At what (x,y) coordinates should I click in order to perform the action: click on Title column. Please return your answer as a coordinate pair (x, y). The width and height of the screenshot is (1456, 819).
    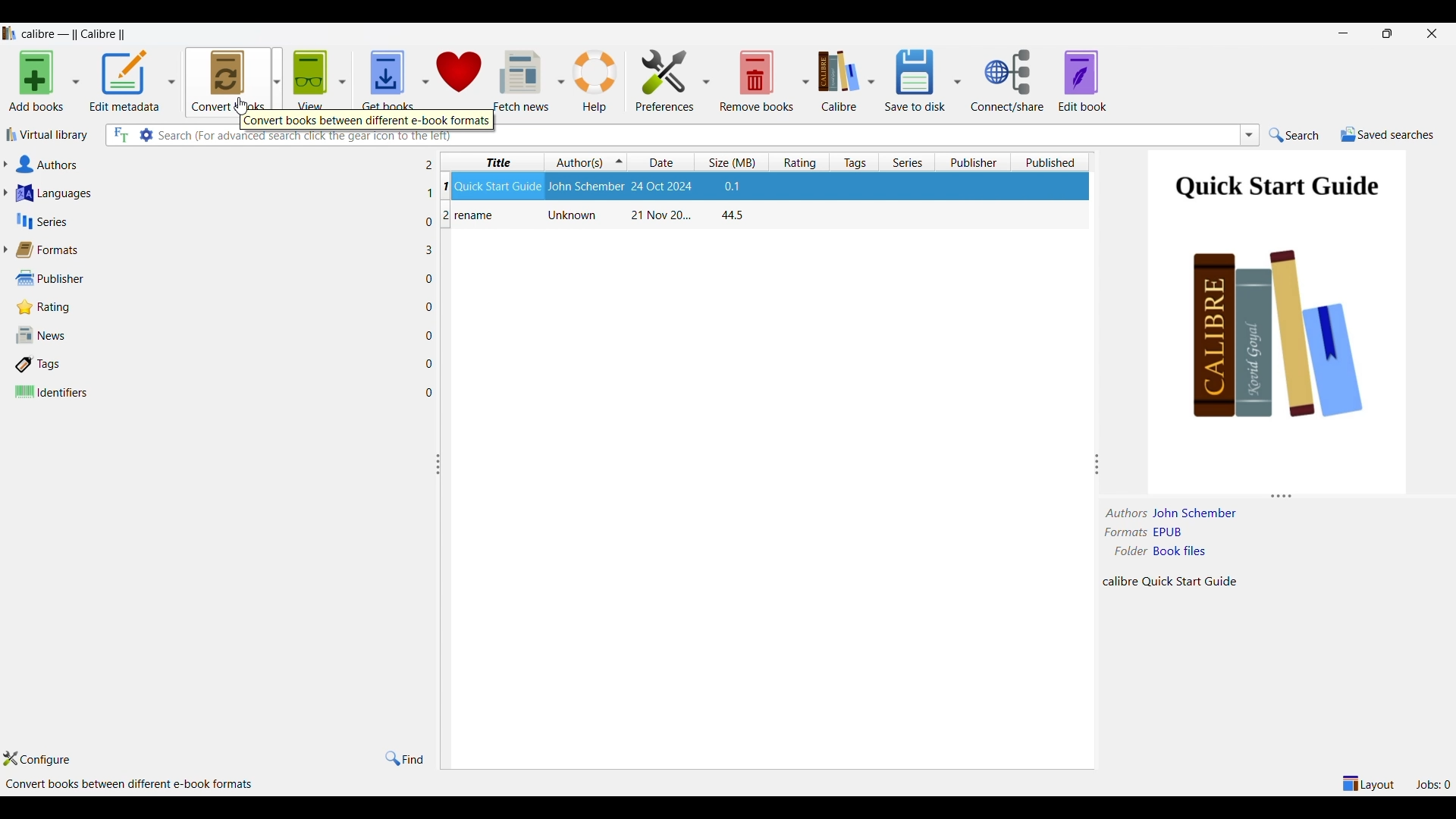
    Looking at the image, I should click on (495, 162).